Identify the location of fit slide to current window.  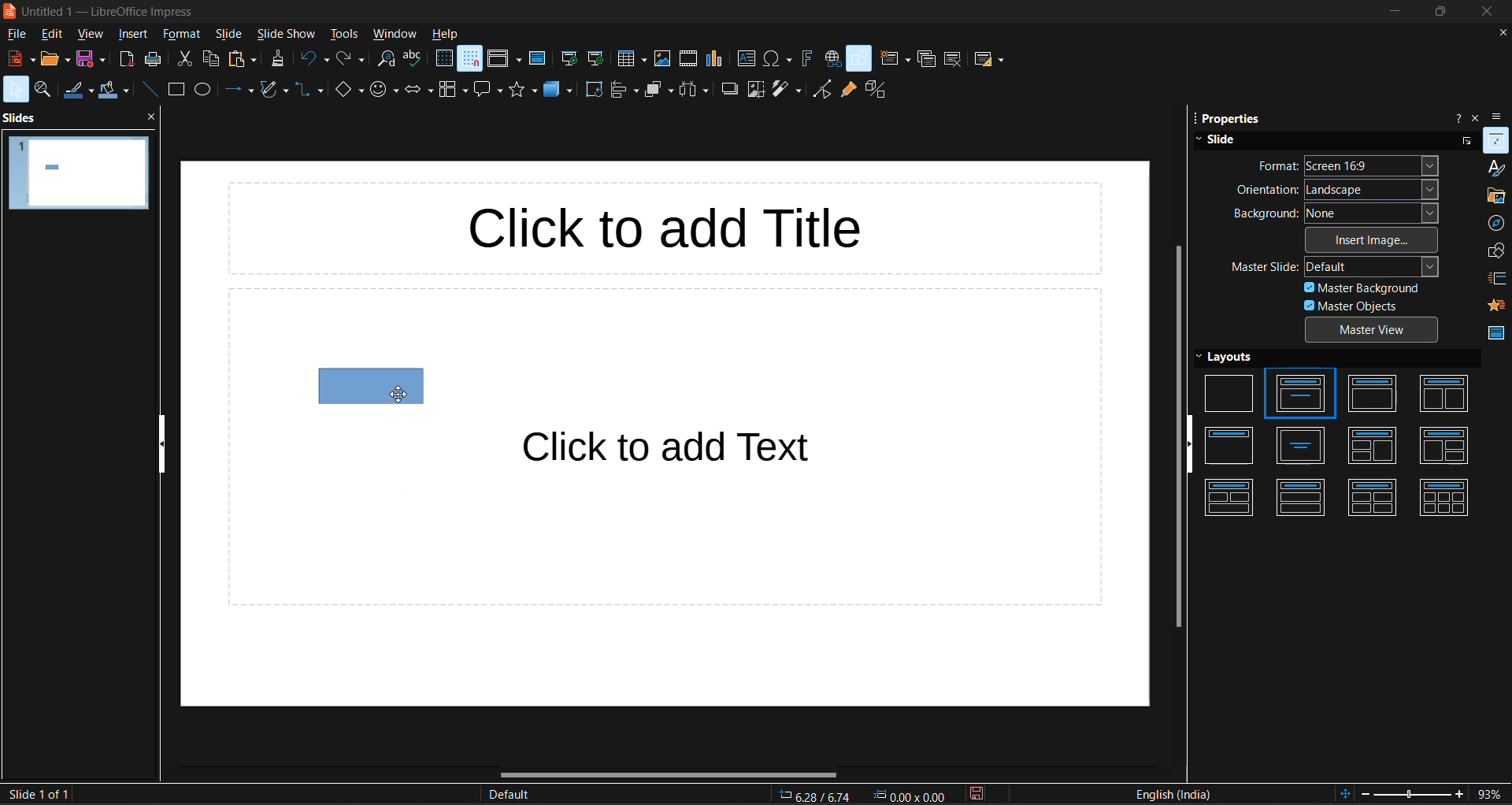
(1344, 792).